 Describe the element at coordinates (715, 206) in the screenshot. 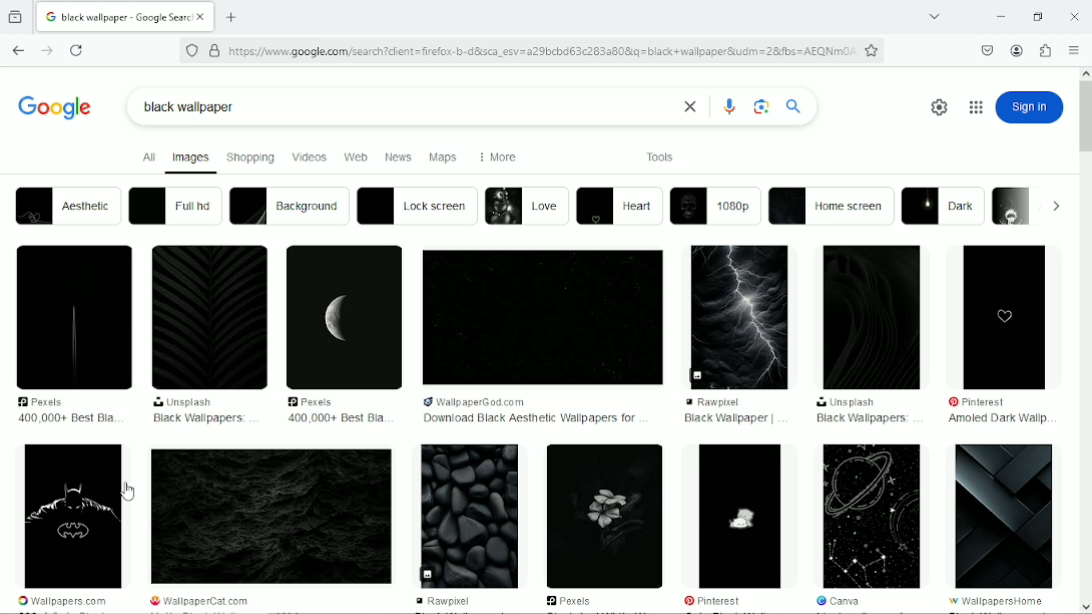

I see `1080p` at that location.